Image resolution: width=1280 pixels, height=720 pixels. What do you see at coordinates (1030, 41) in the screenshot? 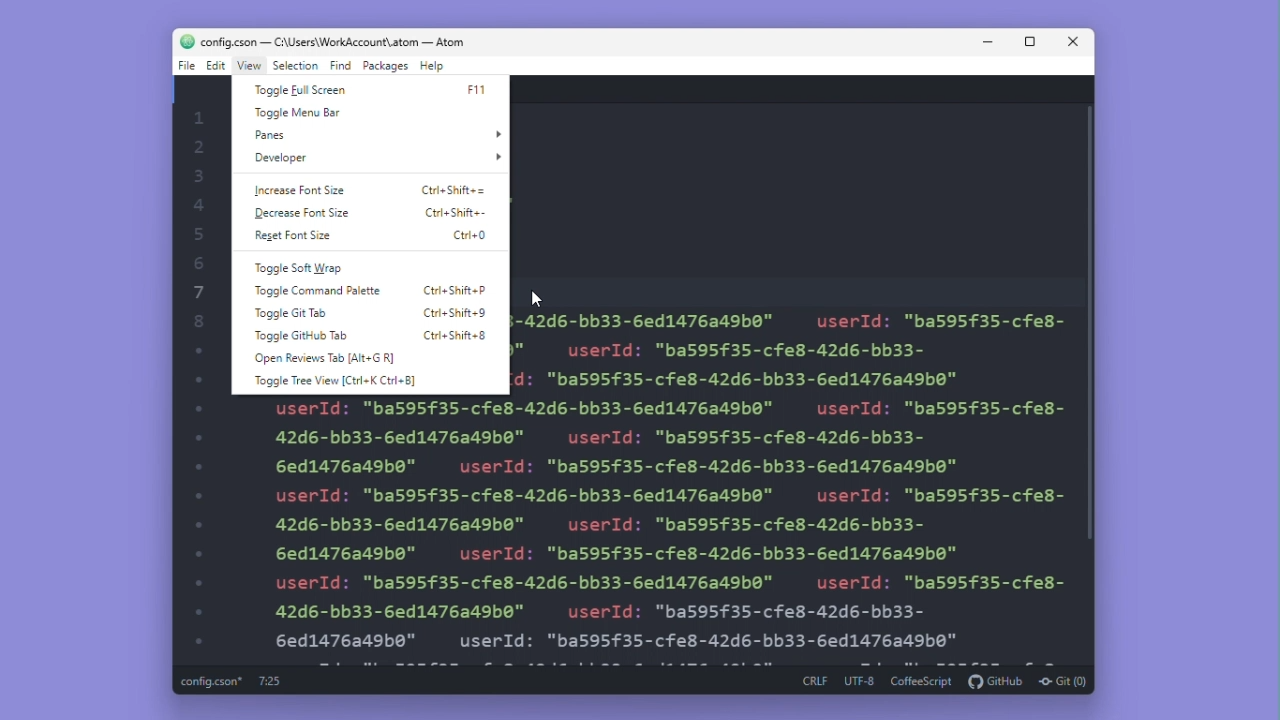
I see `Maximize` at bounding box center [1030, 41].